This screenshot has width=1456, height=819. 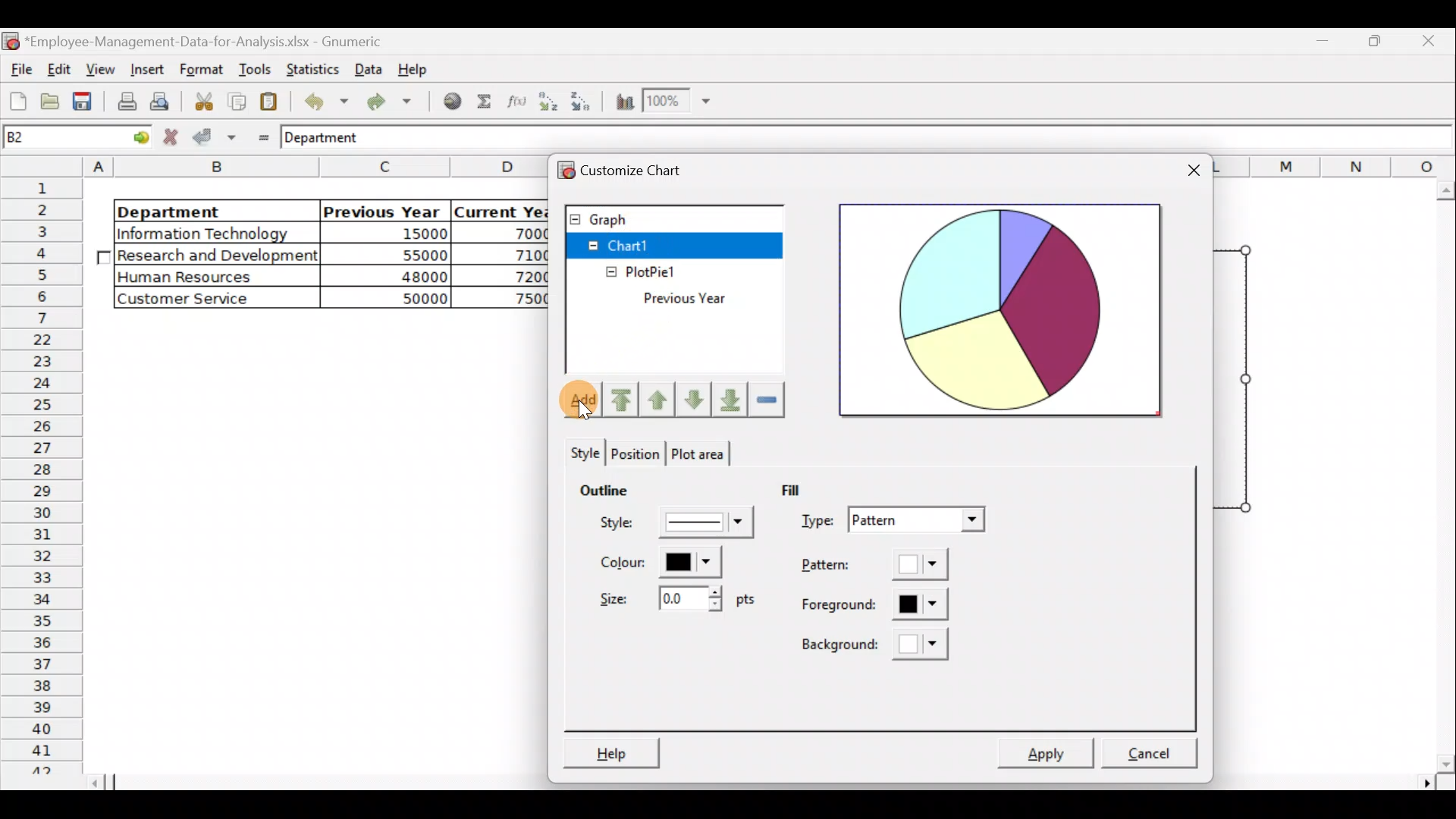 What do you see at coordinates (706, 453) in the screenshot?
I see `Plot area` at bounding box center [706, 453].